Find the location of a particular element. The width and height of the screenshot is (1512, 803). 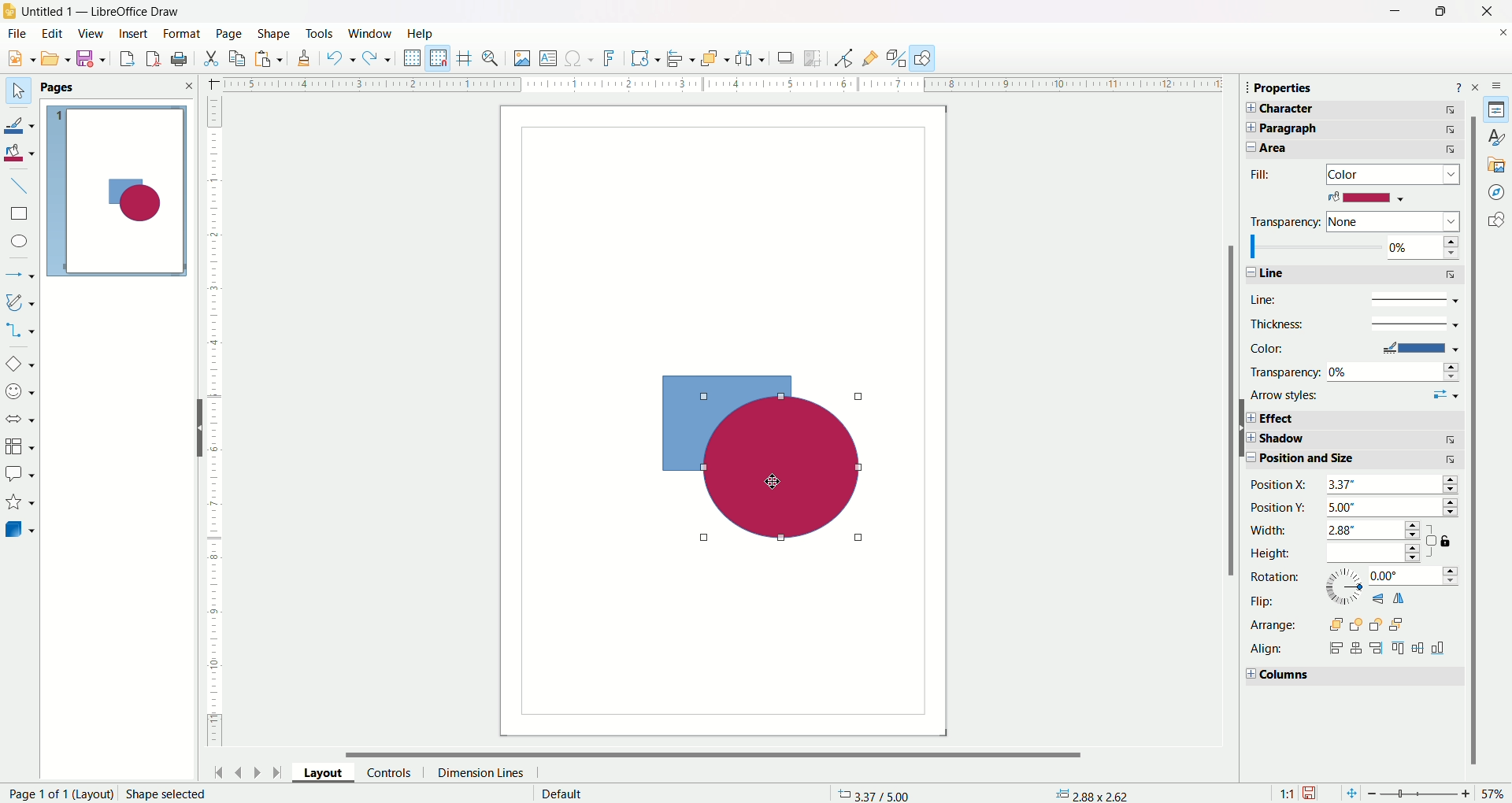

clone formatting is located at coordinates (304, 61).